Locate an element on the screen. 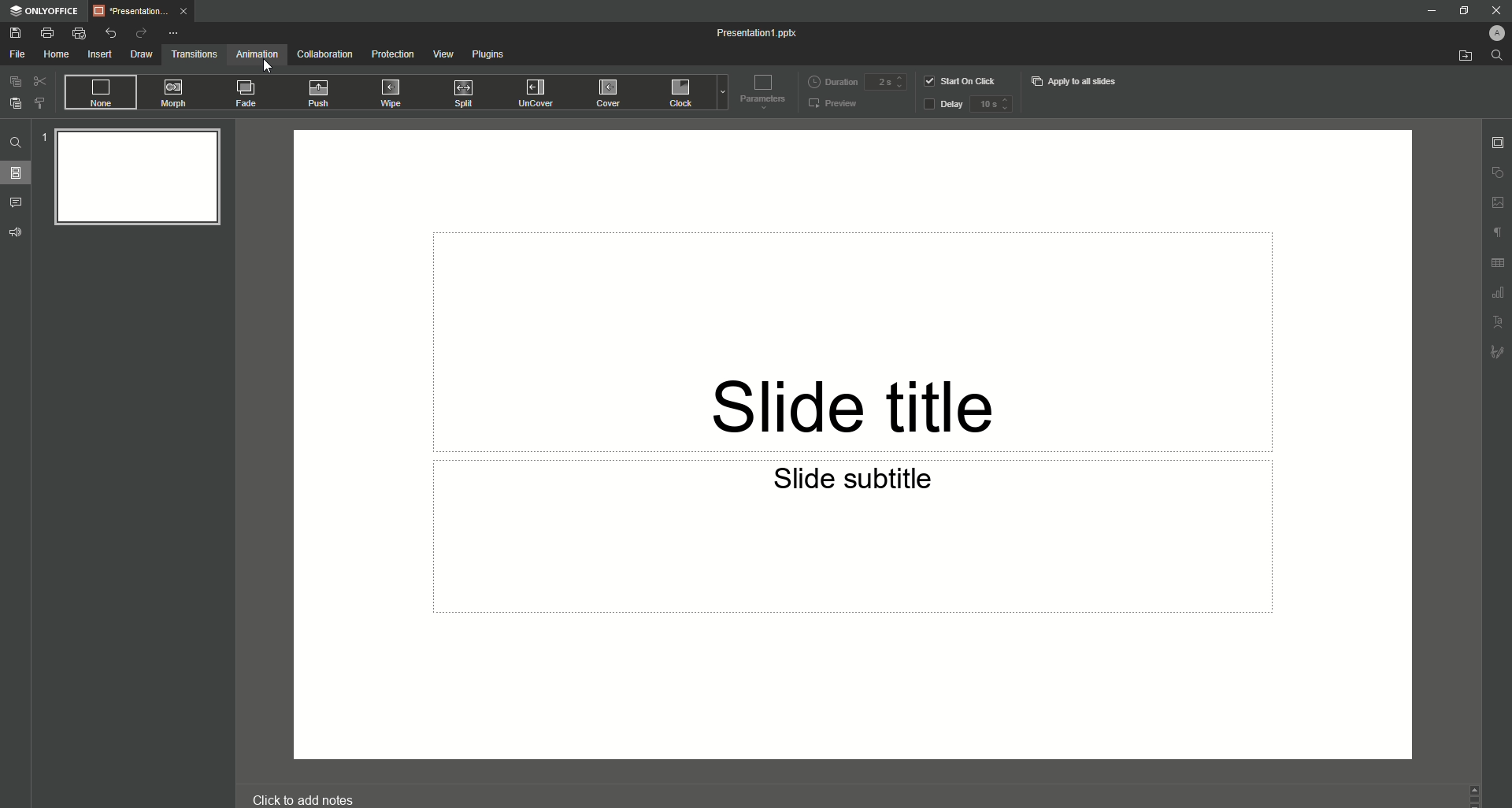  Parameters is located at coordinates (762, 93).